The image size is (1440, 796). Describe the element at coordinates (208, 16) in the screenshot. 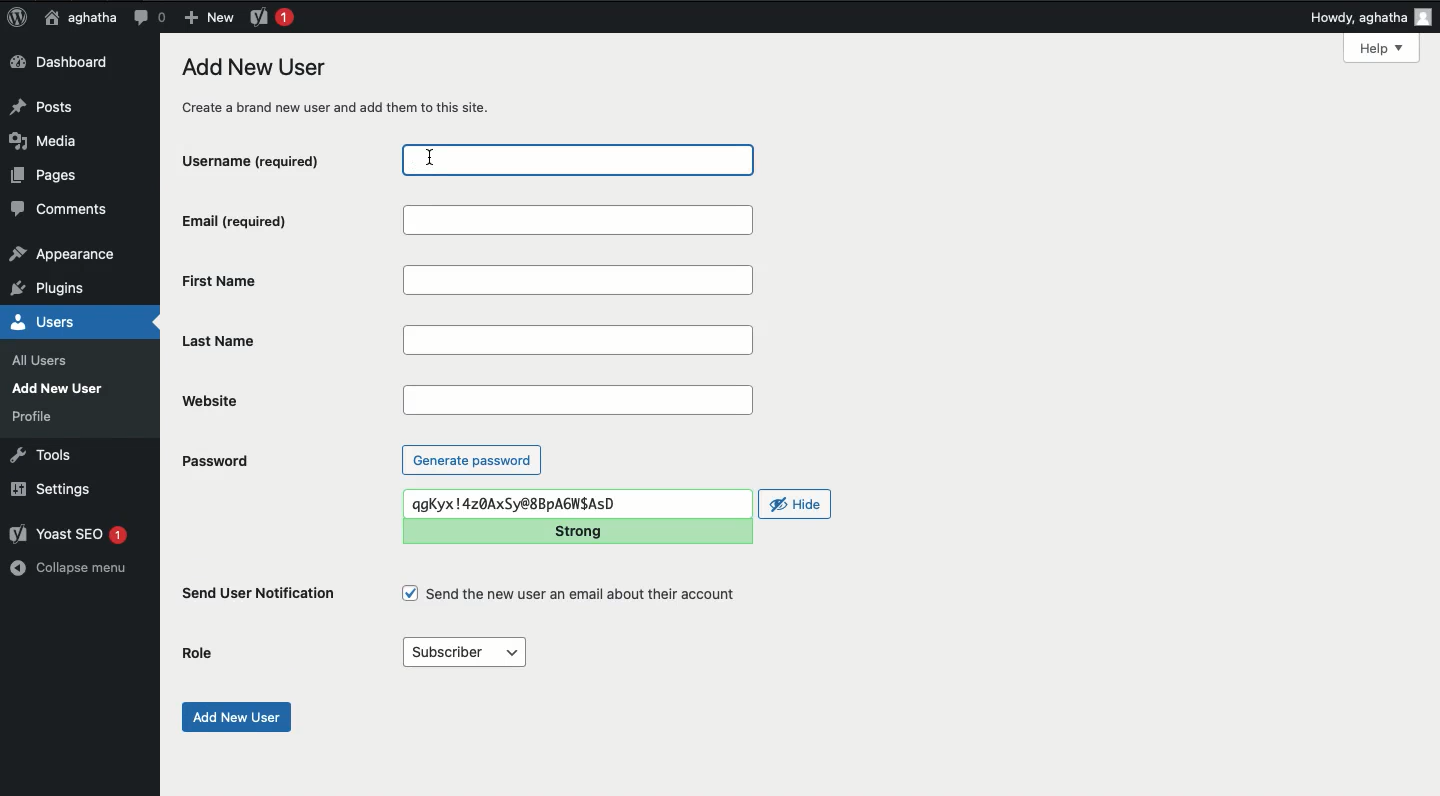

I see `New` at that location.